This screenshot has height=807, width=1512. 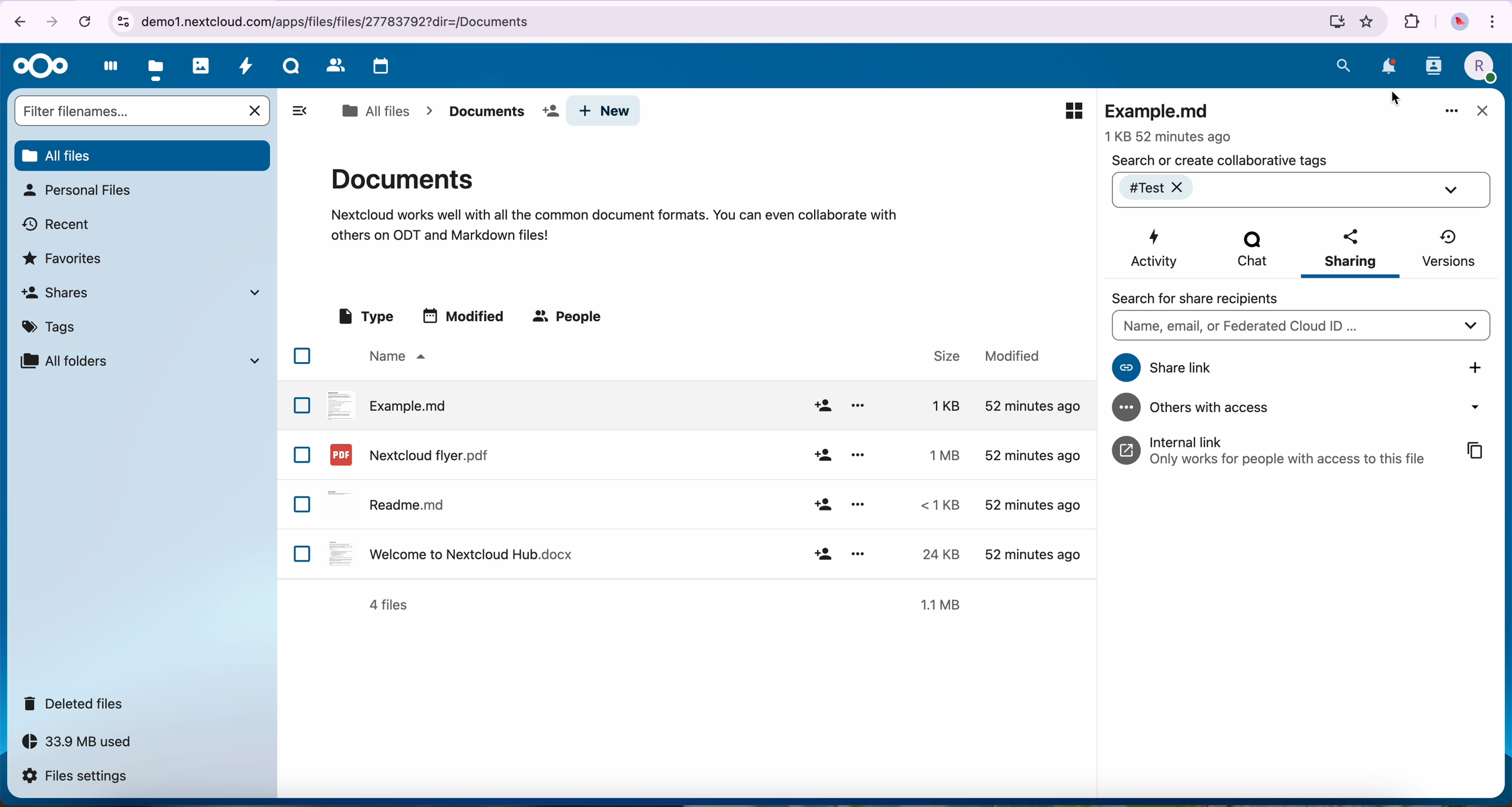 I want to click on favorites, so click(x=65, y=257).